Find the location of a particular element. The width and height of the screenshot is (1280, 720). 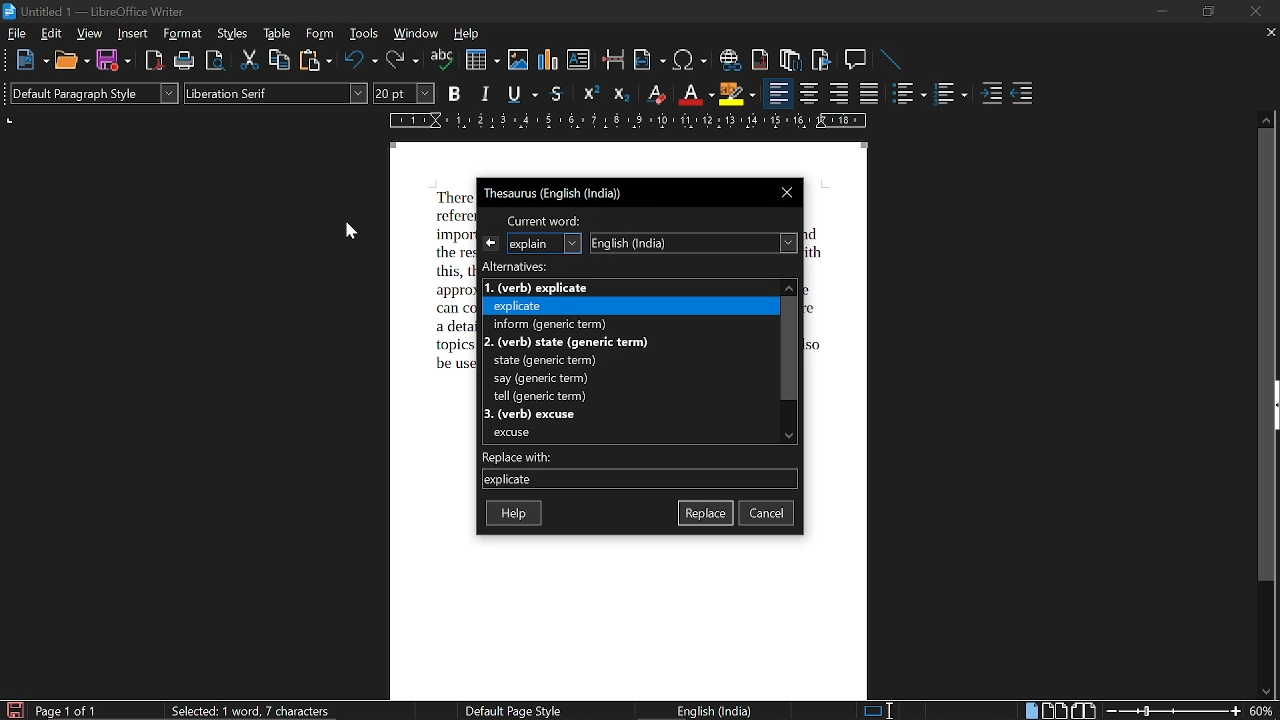

single page view is located at coordinates (1030, 711).